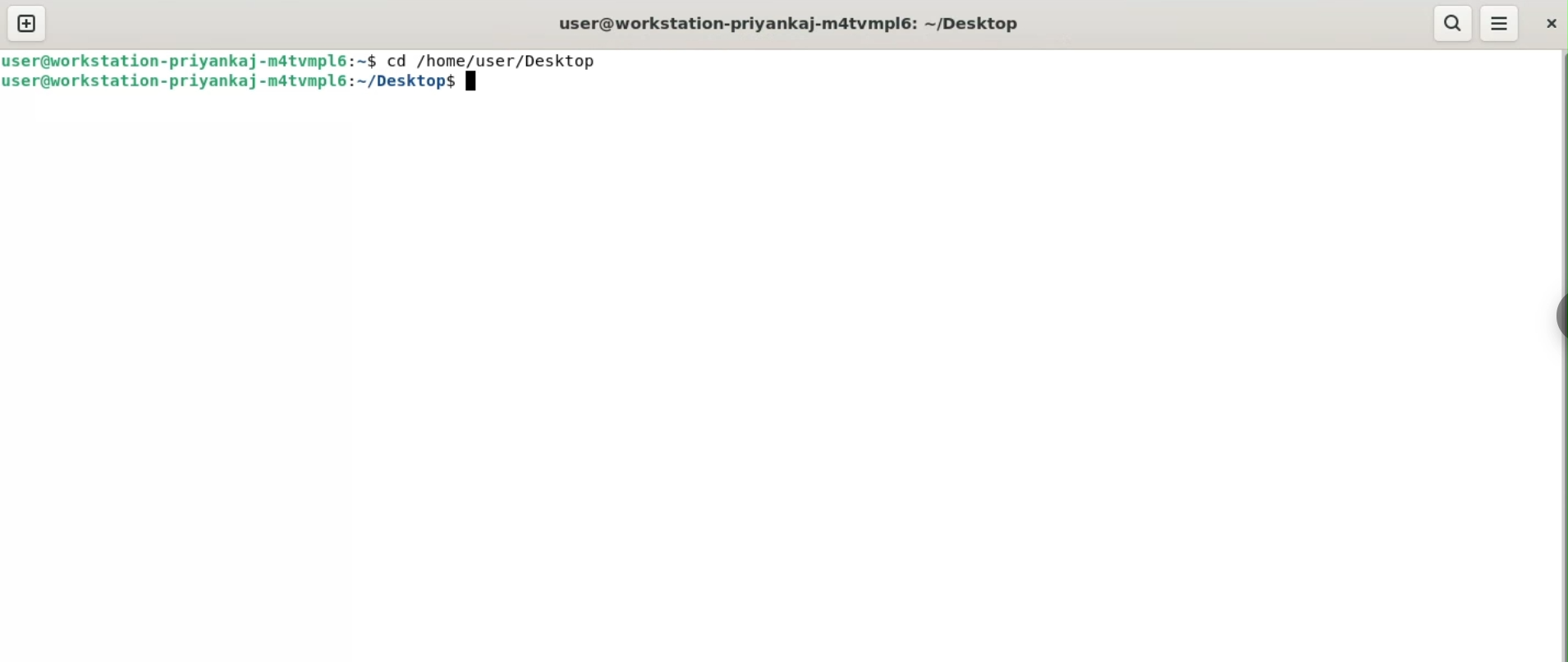 Image resolution: width=1568 pixels, height=662 pixels. What do you see at coordinates (493, 60) in the screenshot?
I see `cd/home/user/desktop` at bounding box center [493, 60].